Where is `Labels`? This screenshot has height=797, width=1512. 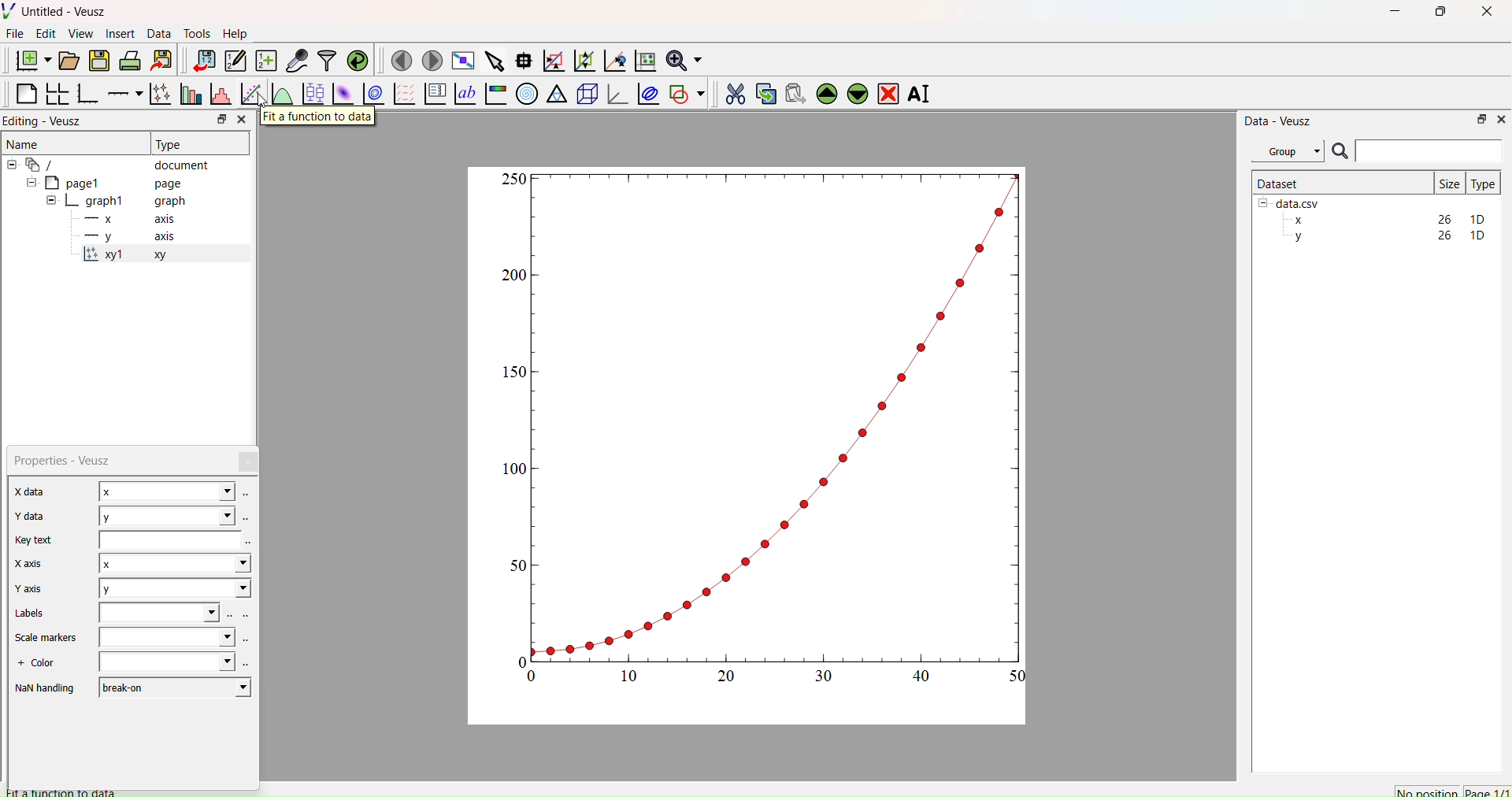
Labels is located at coordinates (31, 612).